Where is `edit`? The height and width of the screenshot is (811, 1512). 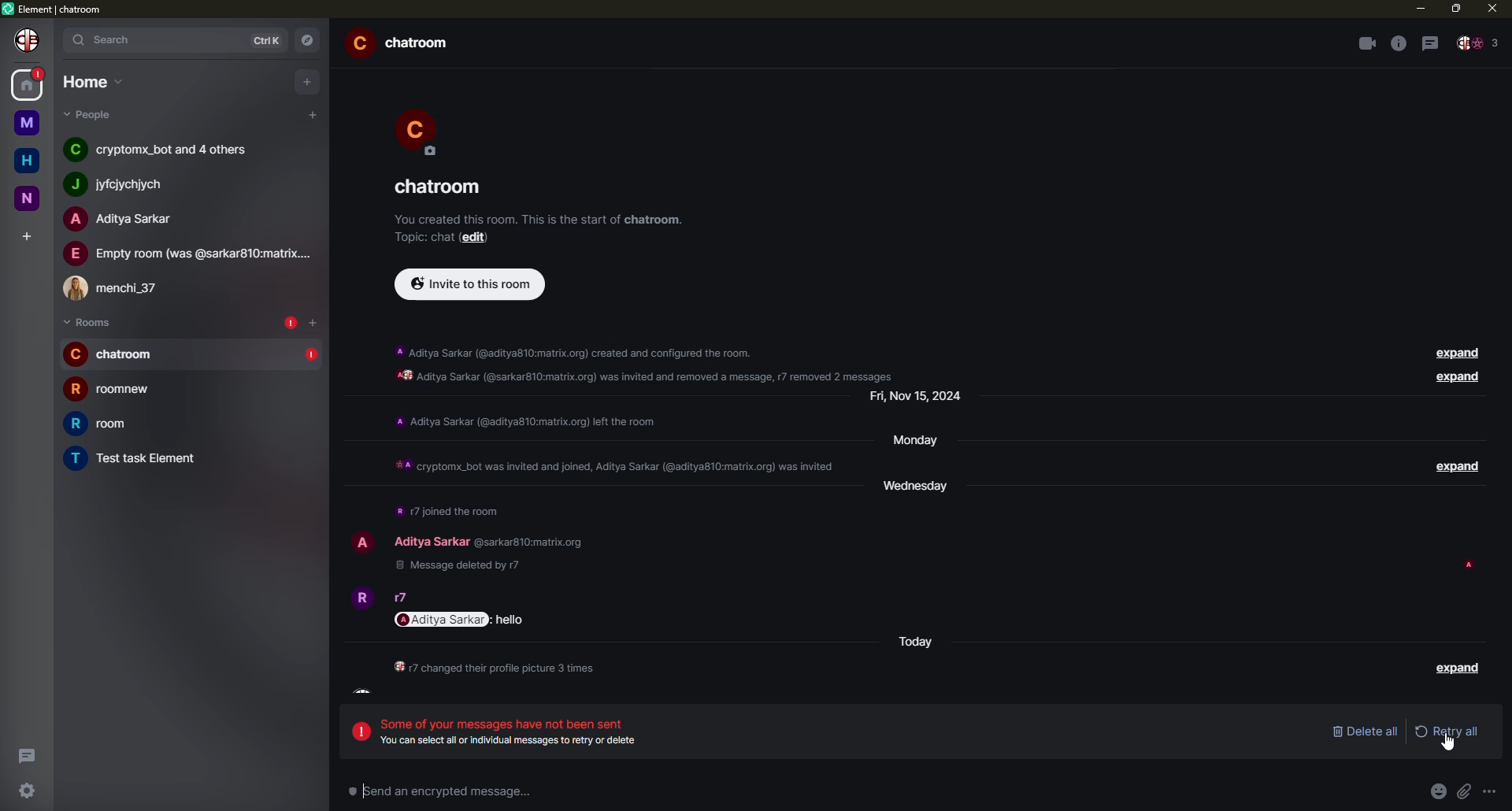
edit is located at coordinates (479, 239).